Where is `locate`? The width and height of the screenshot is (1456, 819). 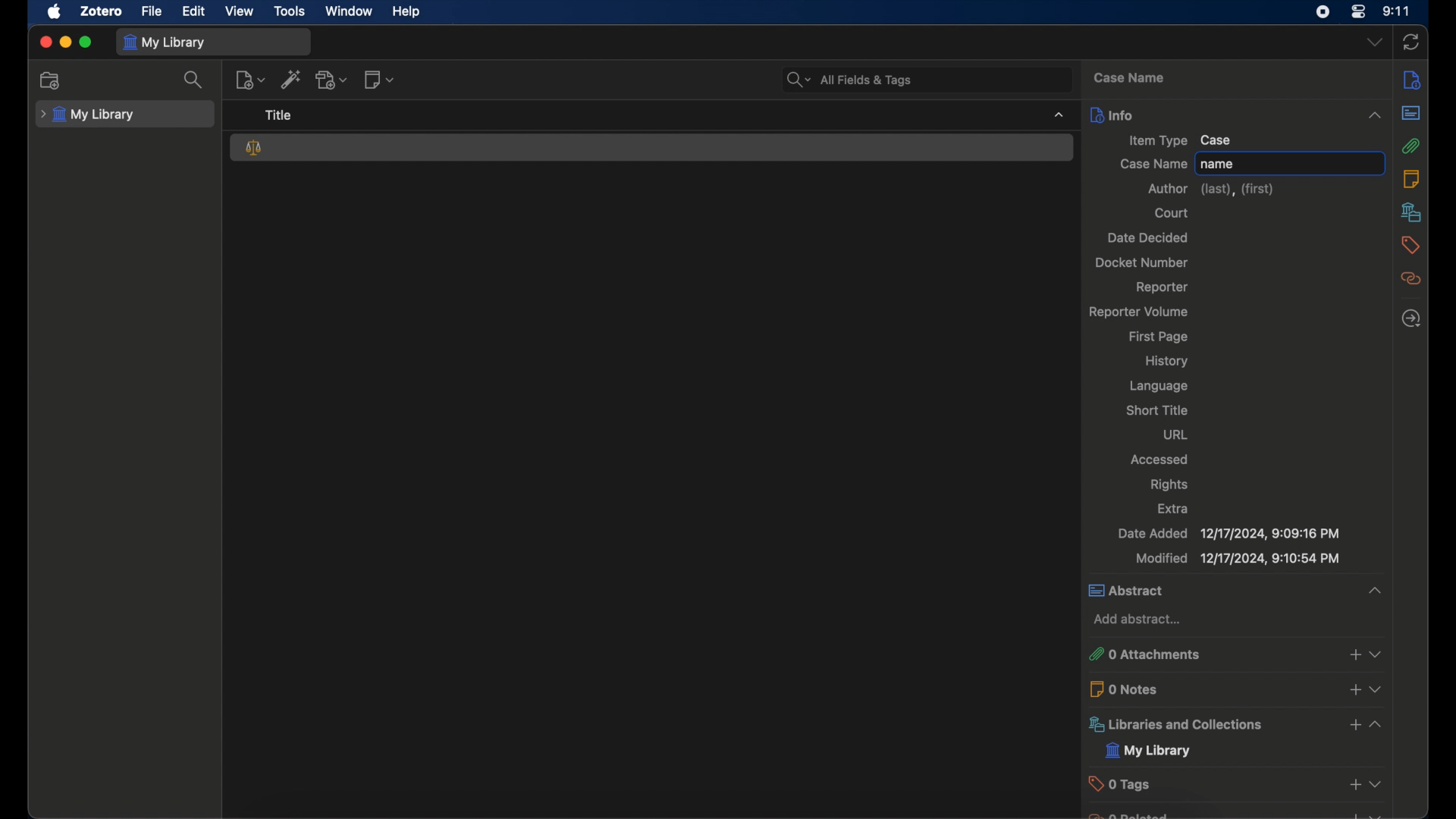
locate is located at coordinates (1411, 318).